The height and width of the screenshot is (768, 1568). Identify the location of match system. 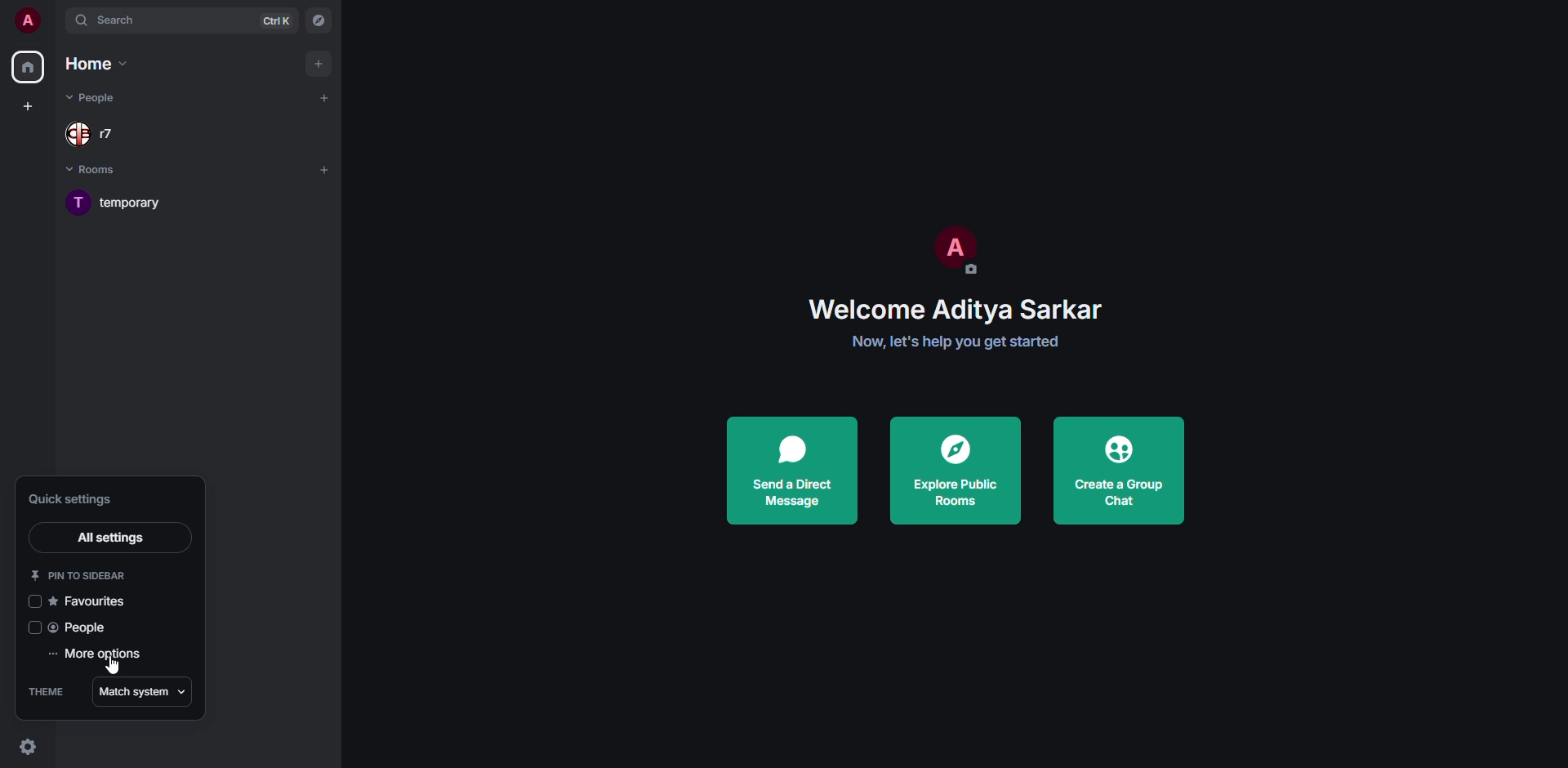
(143, 692).